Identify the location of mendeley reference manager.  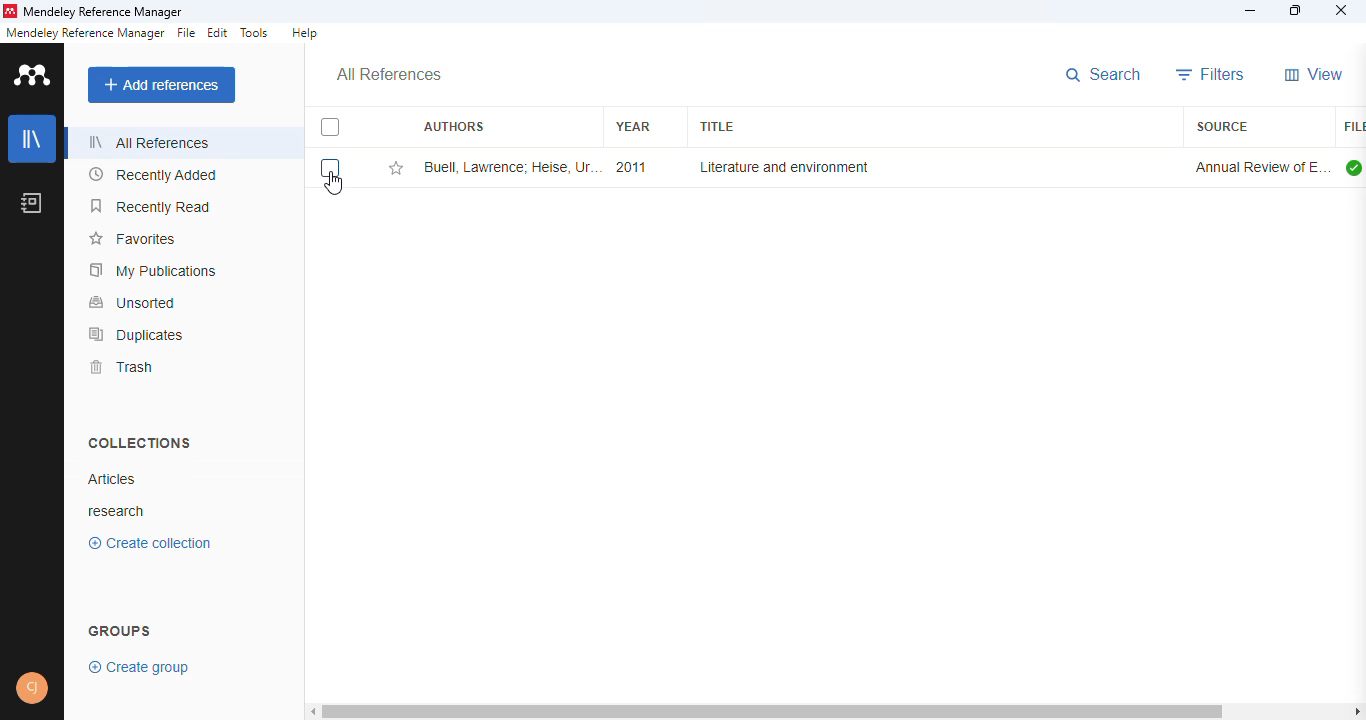
(85, 33).